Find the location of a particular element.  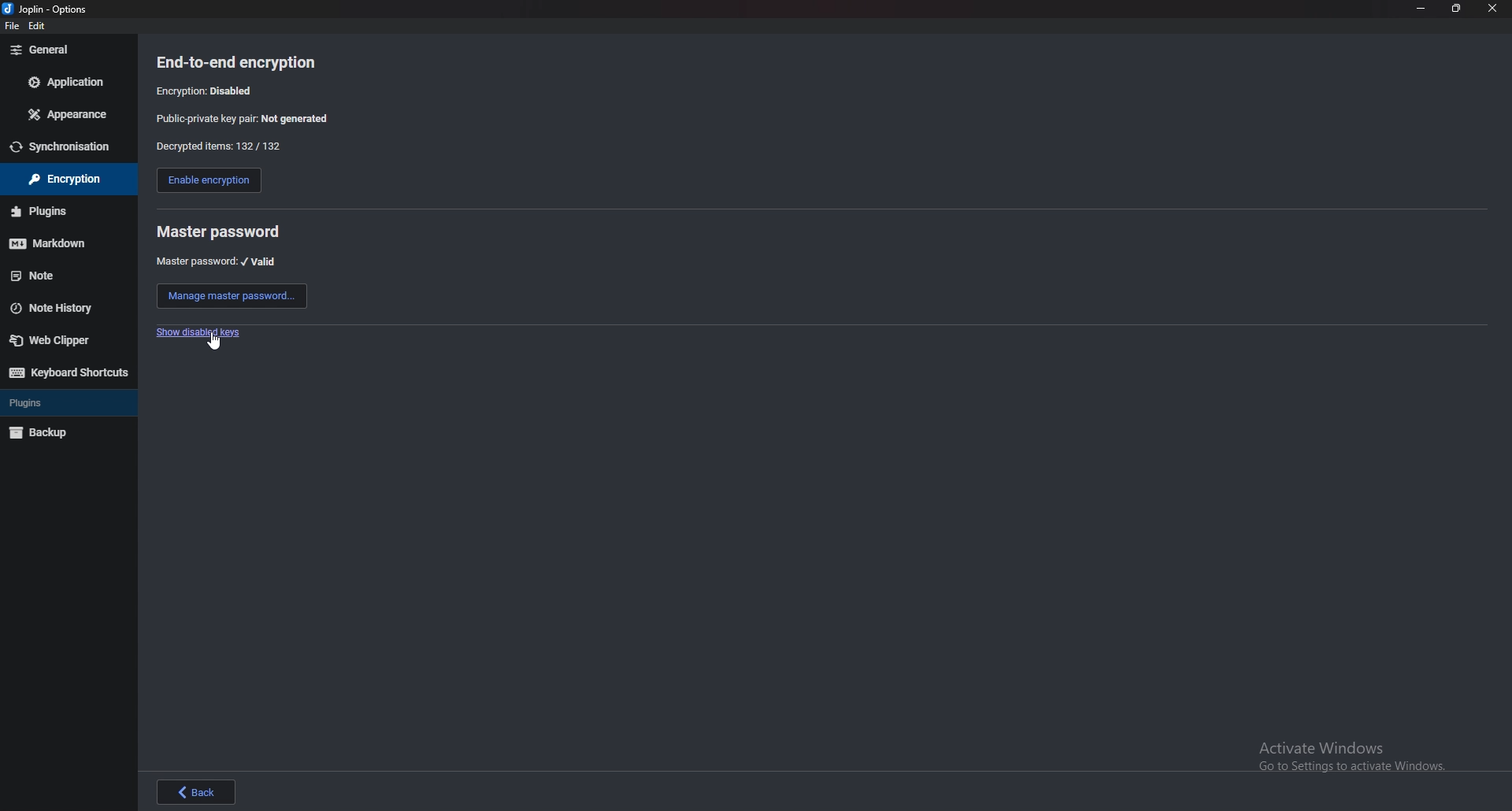

cursor is located at coordinates (216, 342).